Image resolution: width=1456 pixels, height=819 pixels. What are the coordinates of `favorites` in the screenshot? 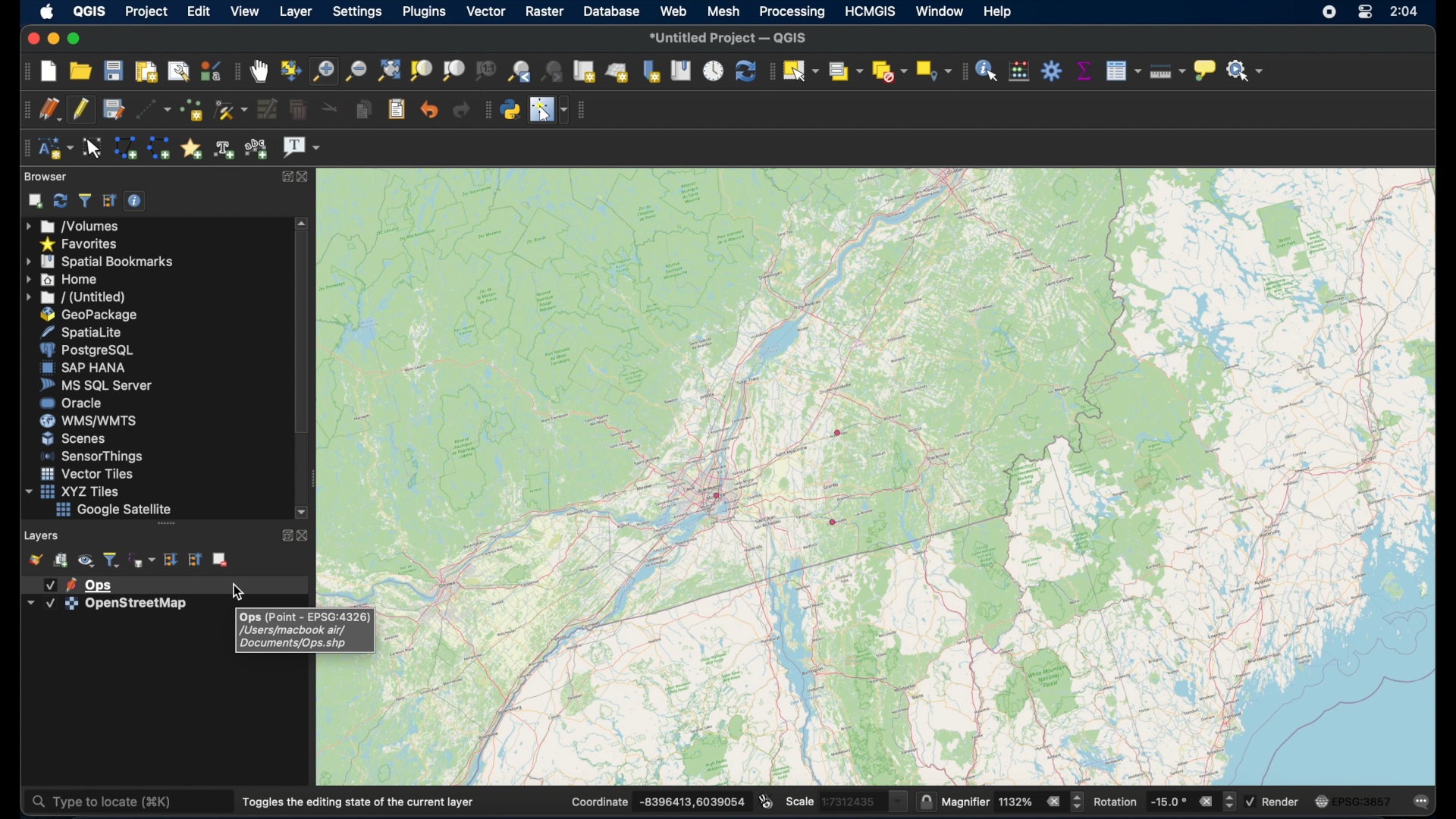 It's located at (81, 243).